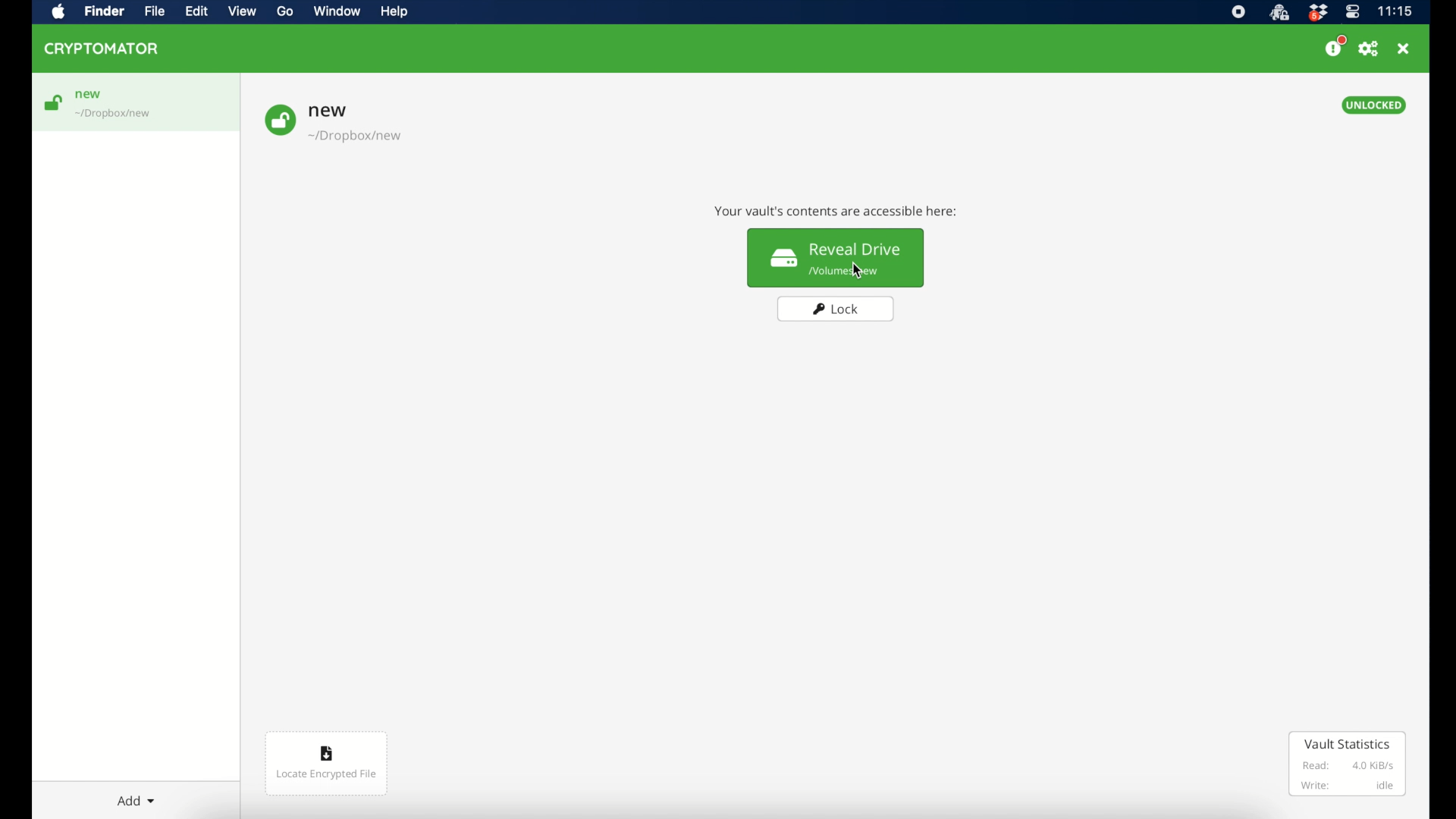 The width and height of the screenshot is (1456, 819). What do you see at coordinates (196, 11) in the screenshot?
I see `edit` at bounding box center [196, 11].